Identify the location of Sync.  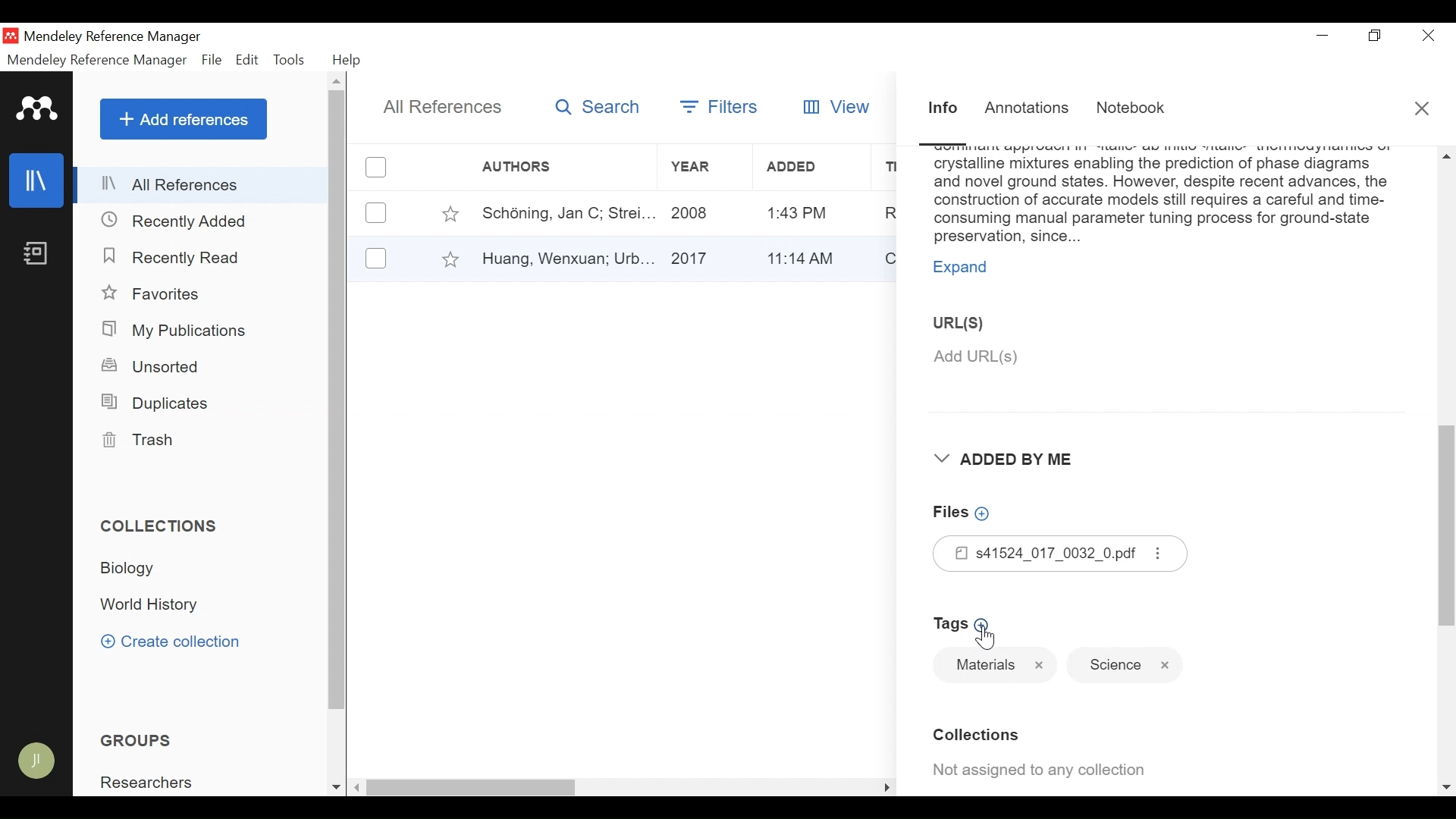
(39, 690).